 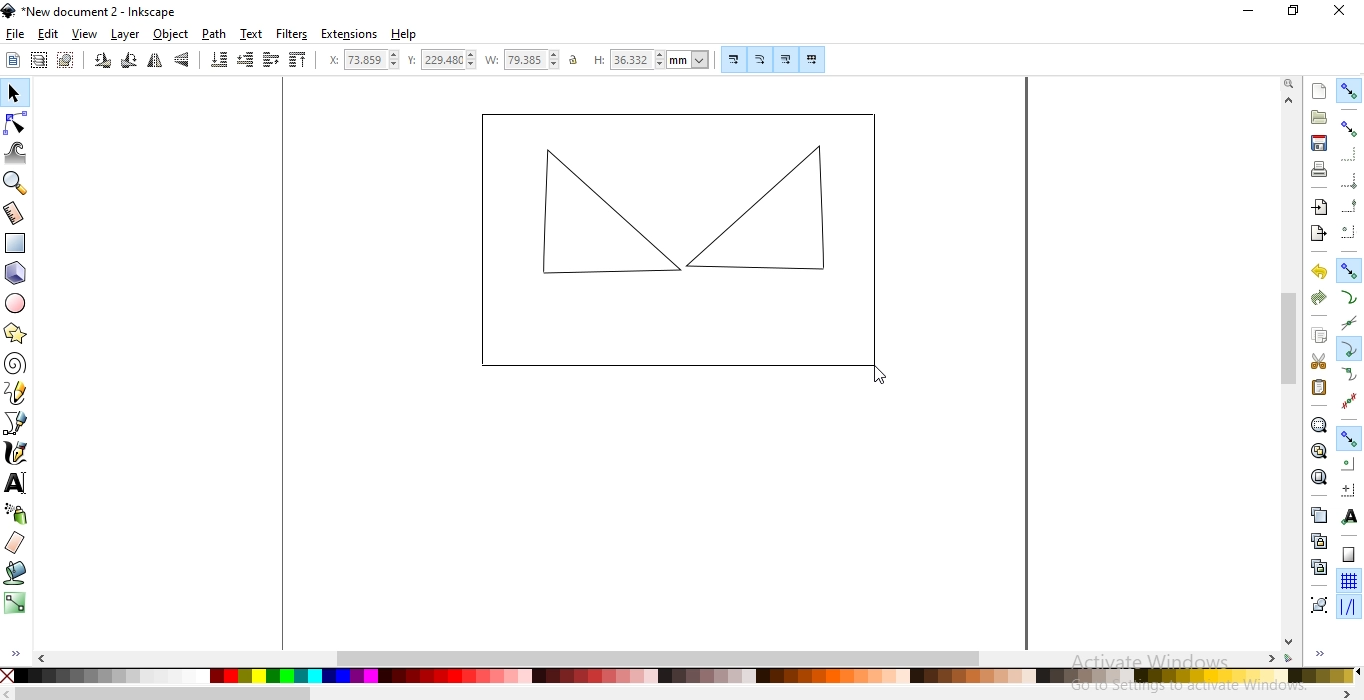 I want to click on draw calligraphic or brush strokes, so click(x=16, y=453).